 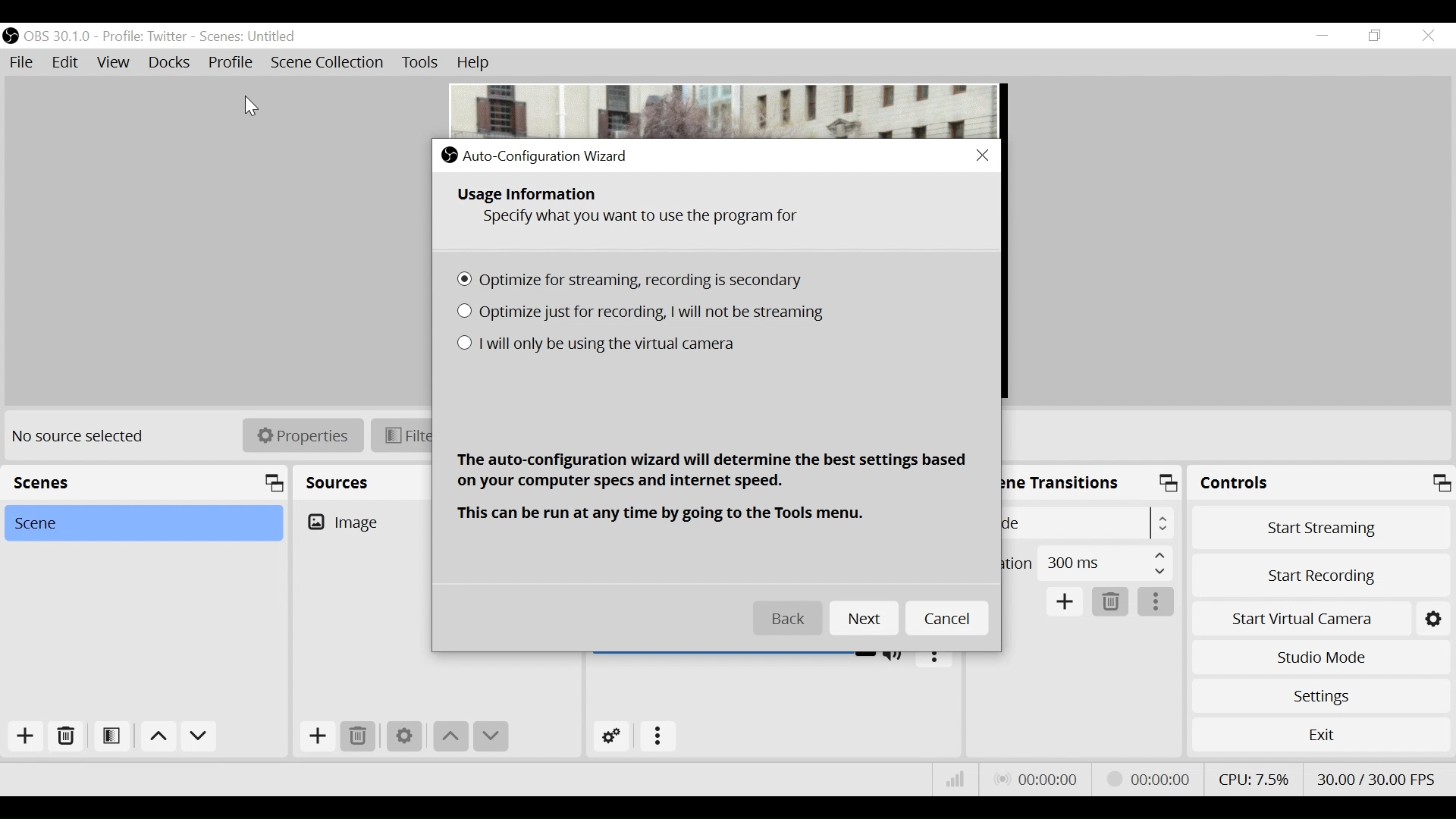 What do you see at coordinates (1111, 601) in the screenshot?
I see `Delete` at bounding box center [1111, 601].